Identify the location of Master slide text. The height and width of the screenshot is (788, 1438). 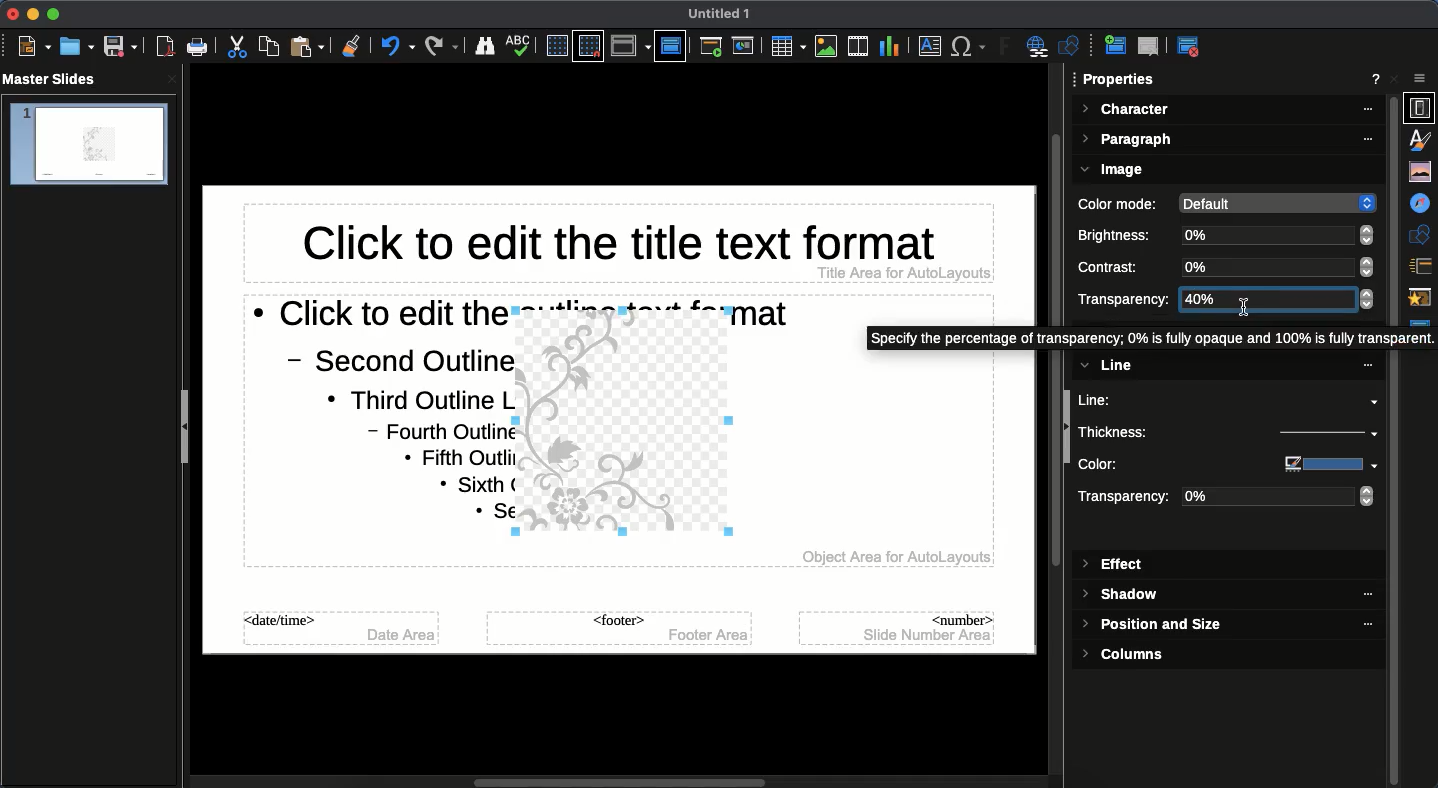
(362, 426).